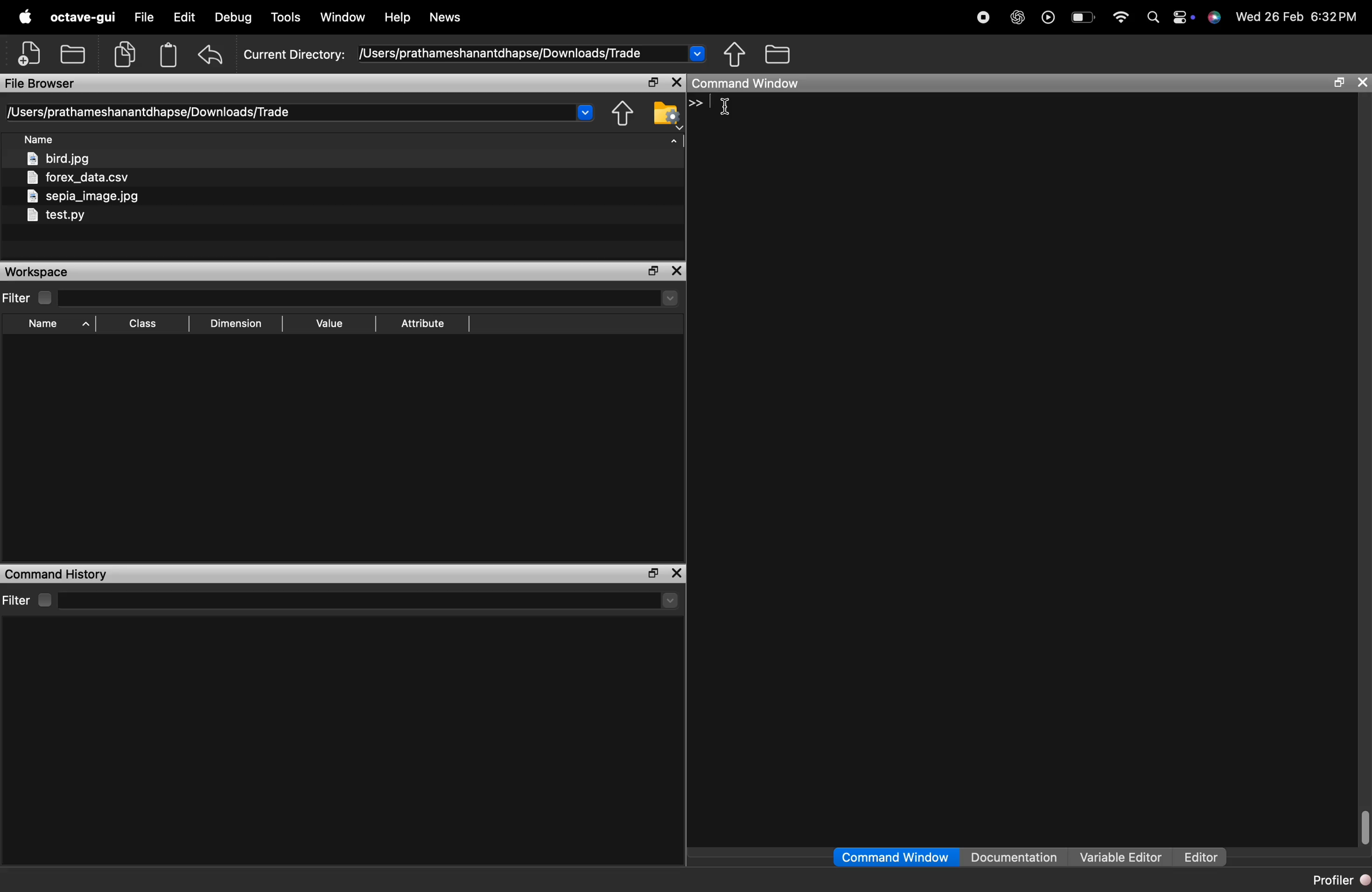 The height and width of the screenshot is (892, 1372). I want to click on documentation, so click(1014, 858).